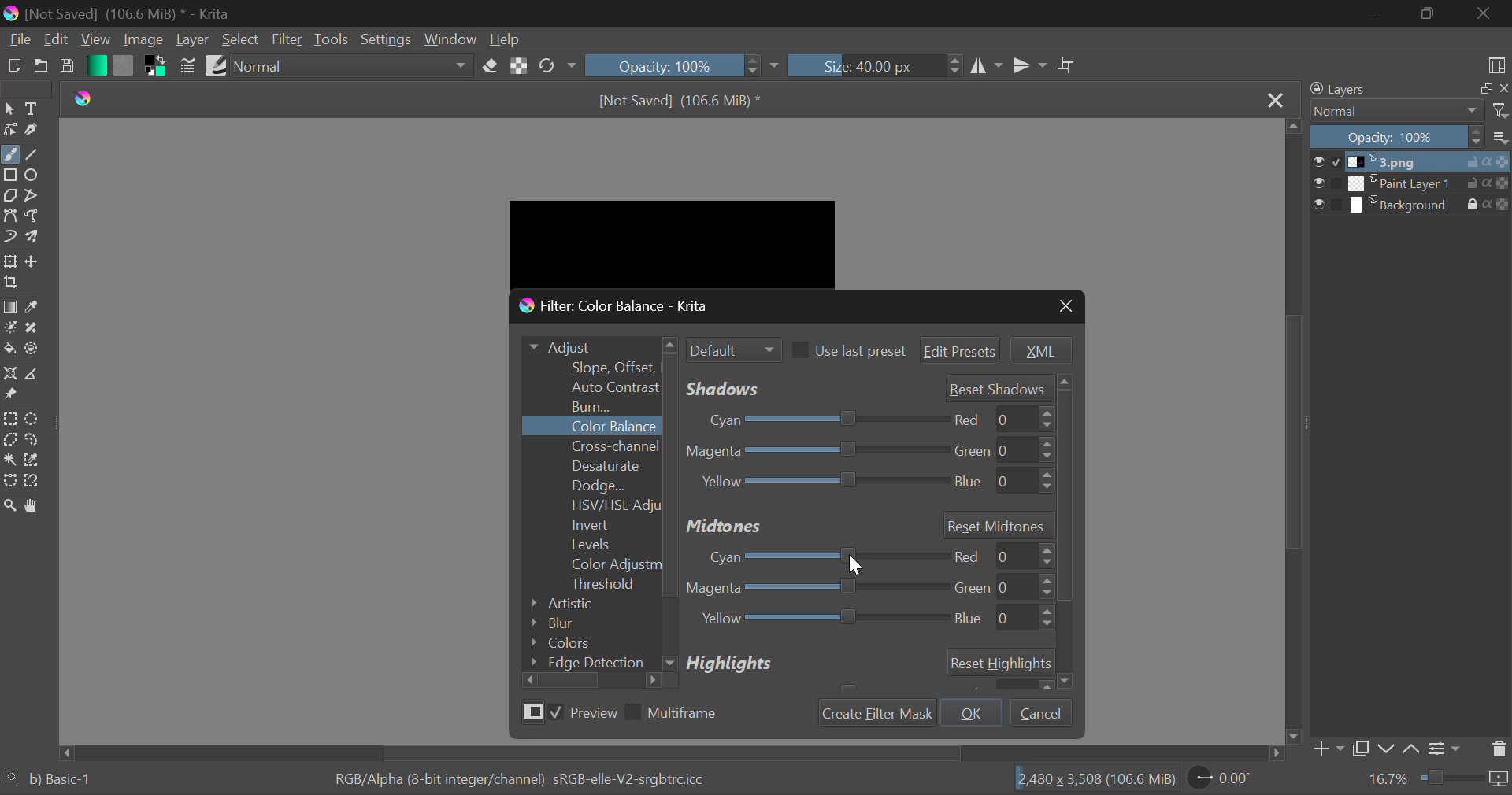  What do you see at coordinates (1030, 65) in the screenshot?
I see `Horizontal Mirror Flip` at bounding box center [1030, 65].